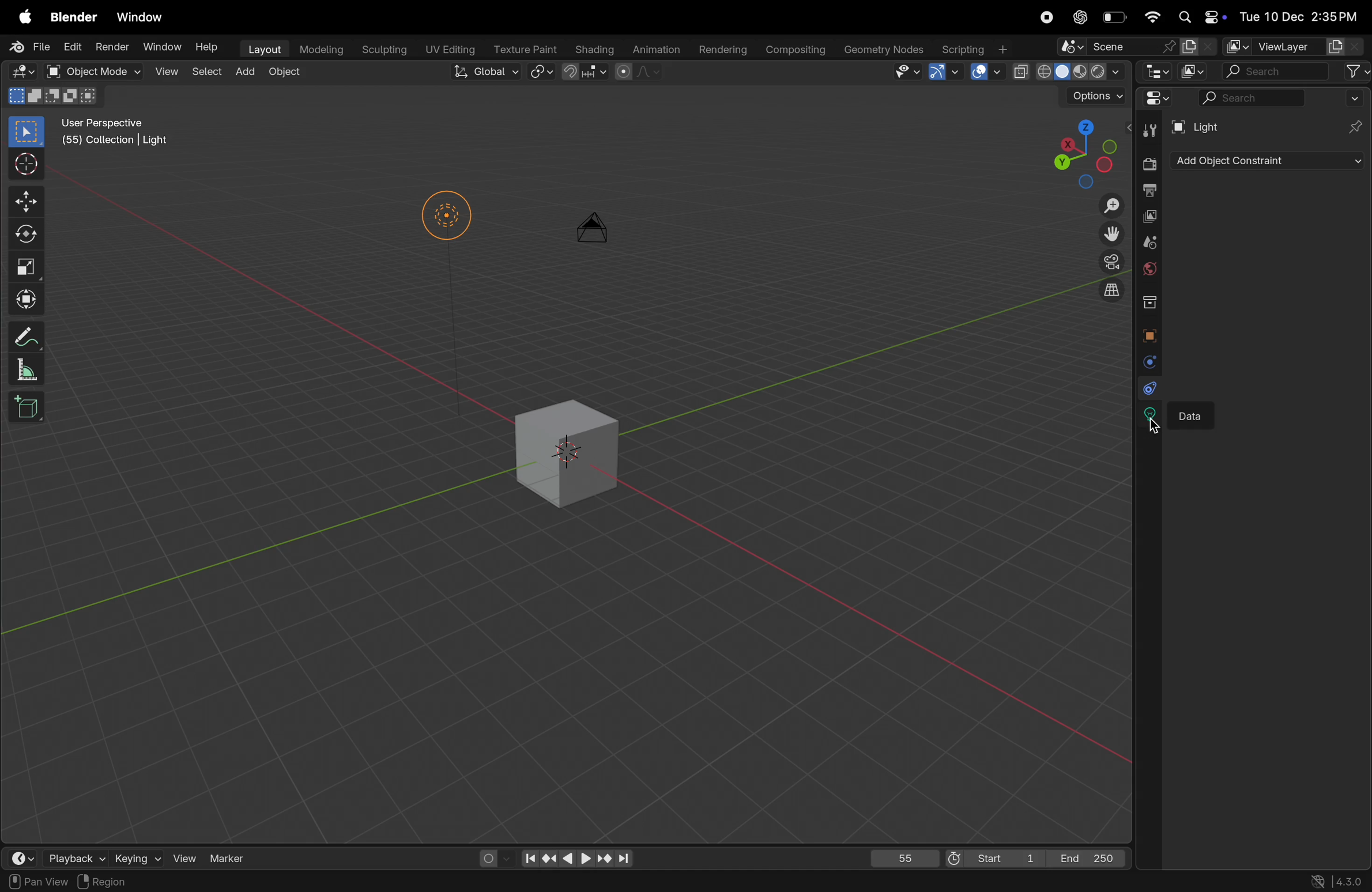 The height and width of the screenshot is (892, 1372). I want to click on rotate, so click(98, 882).